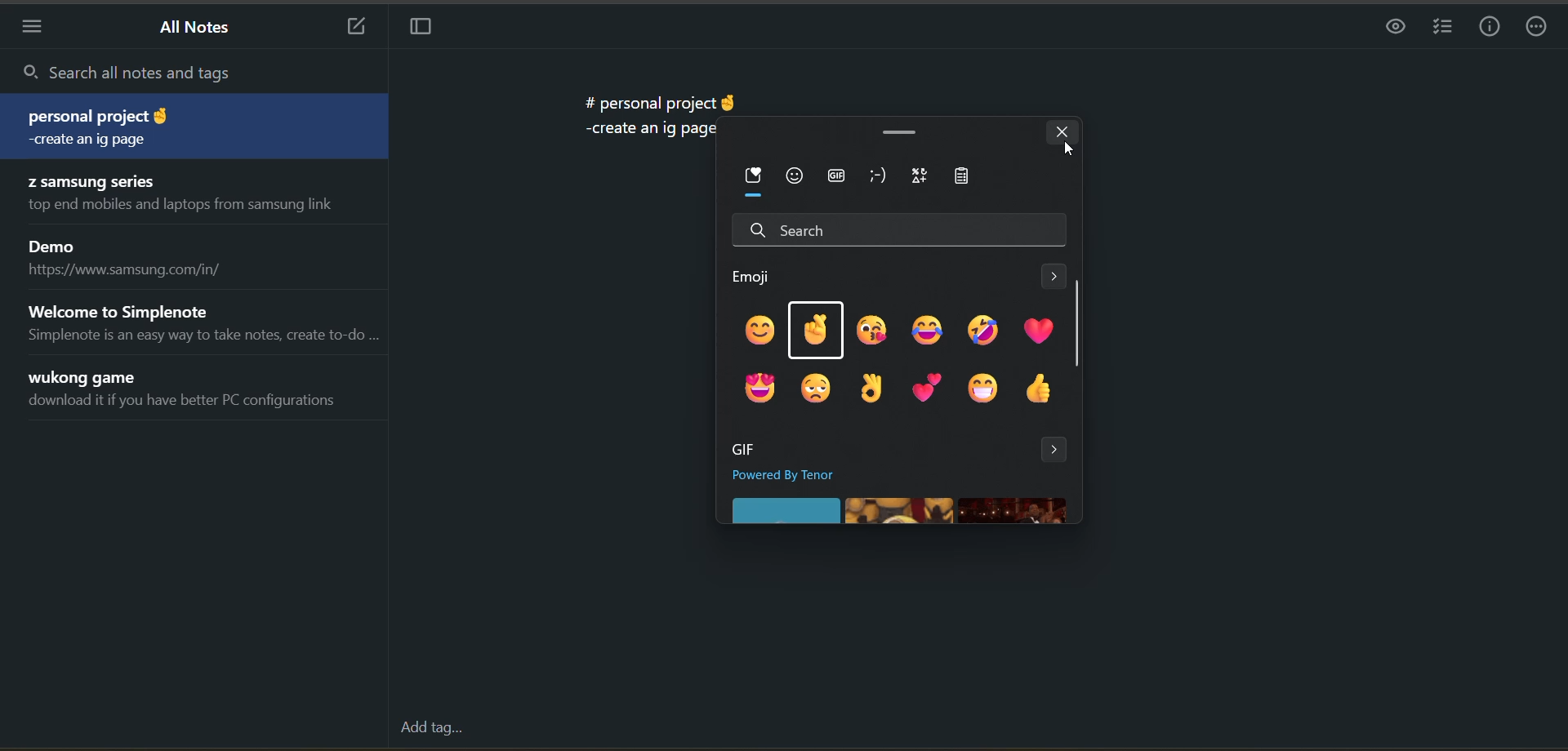 Image resolution: width=1568 pixels, height=751 pixels. I want to click on clipboard  history, so click(969, 176).